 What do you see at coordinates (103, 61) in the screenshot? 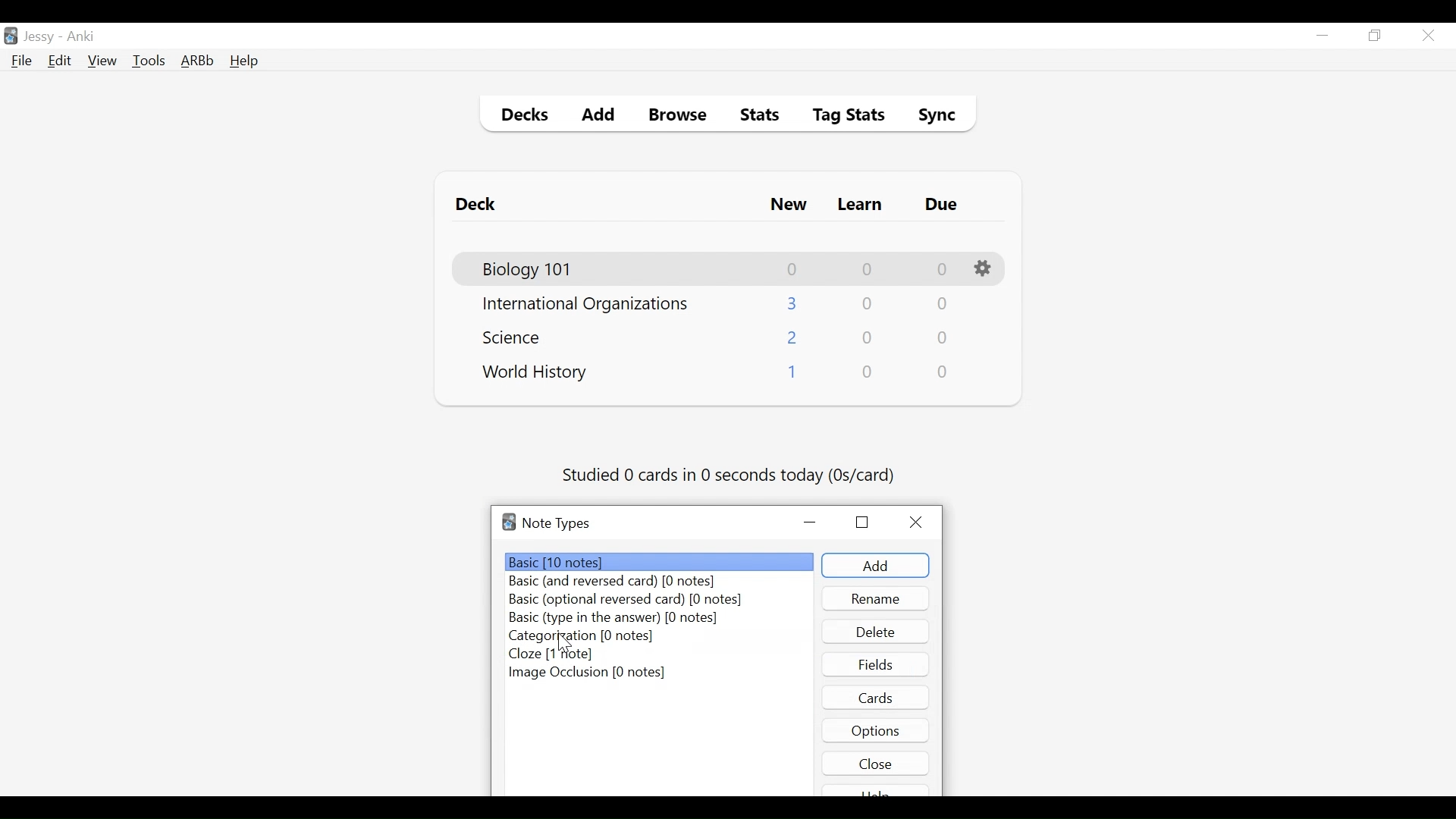
I see `View` at bounding box center [103, 61].